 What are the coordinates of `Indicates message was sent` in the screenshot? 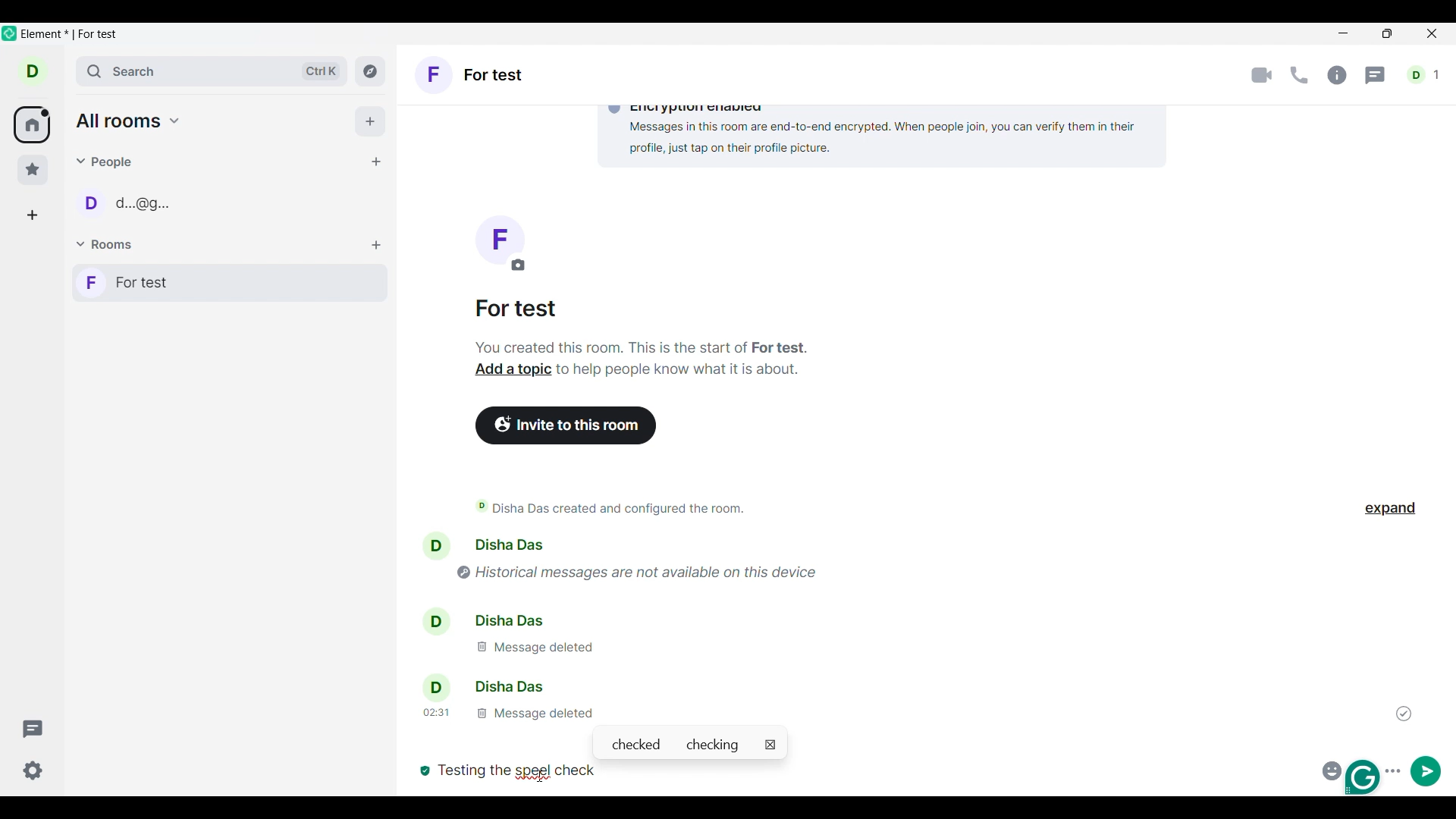 It's located at (1404, 714).